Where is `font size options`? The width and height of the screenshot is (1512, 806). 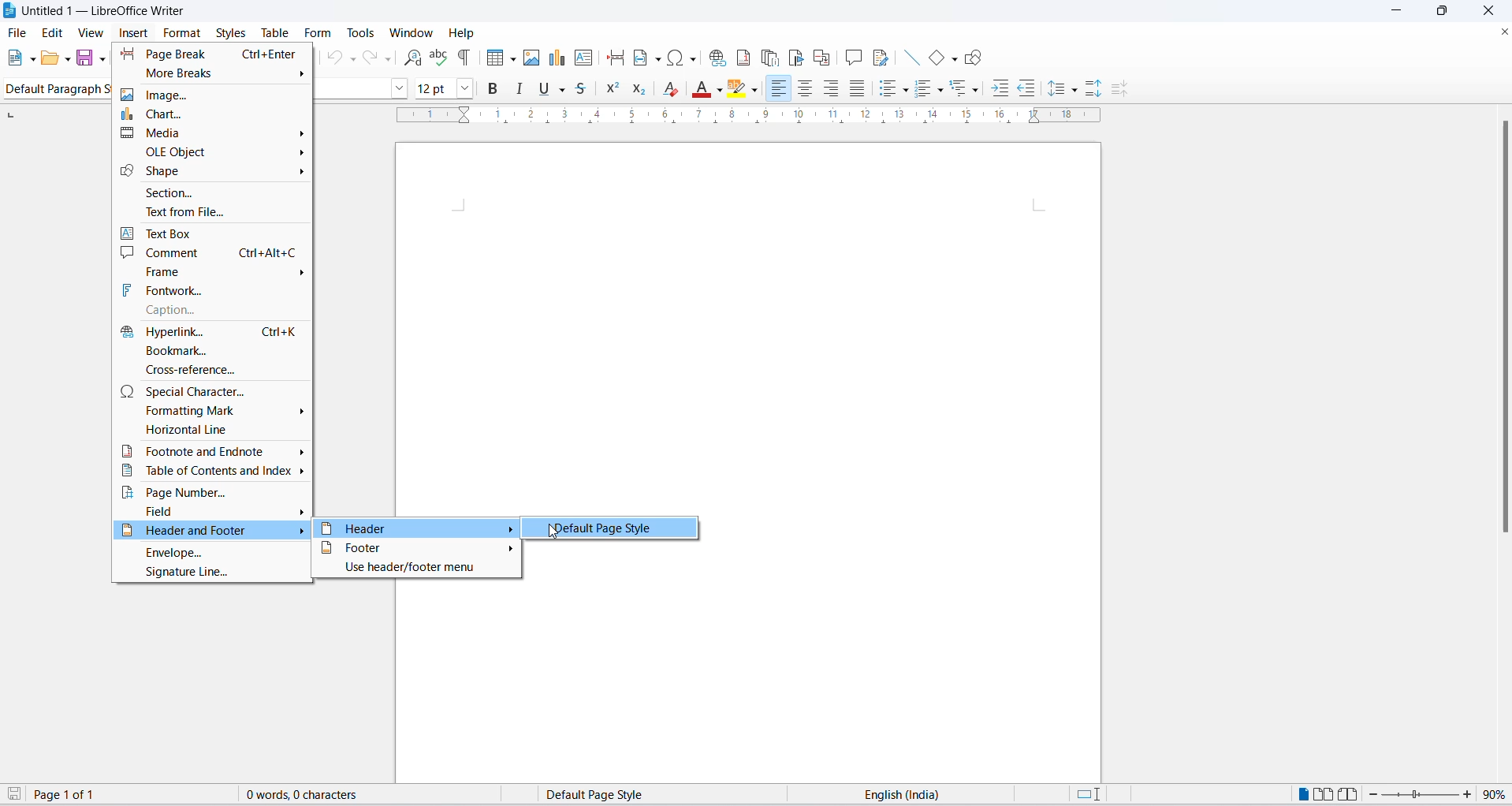
font size options is located at coordinates (470, 88).